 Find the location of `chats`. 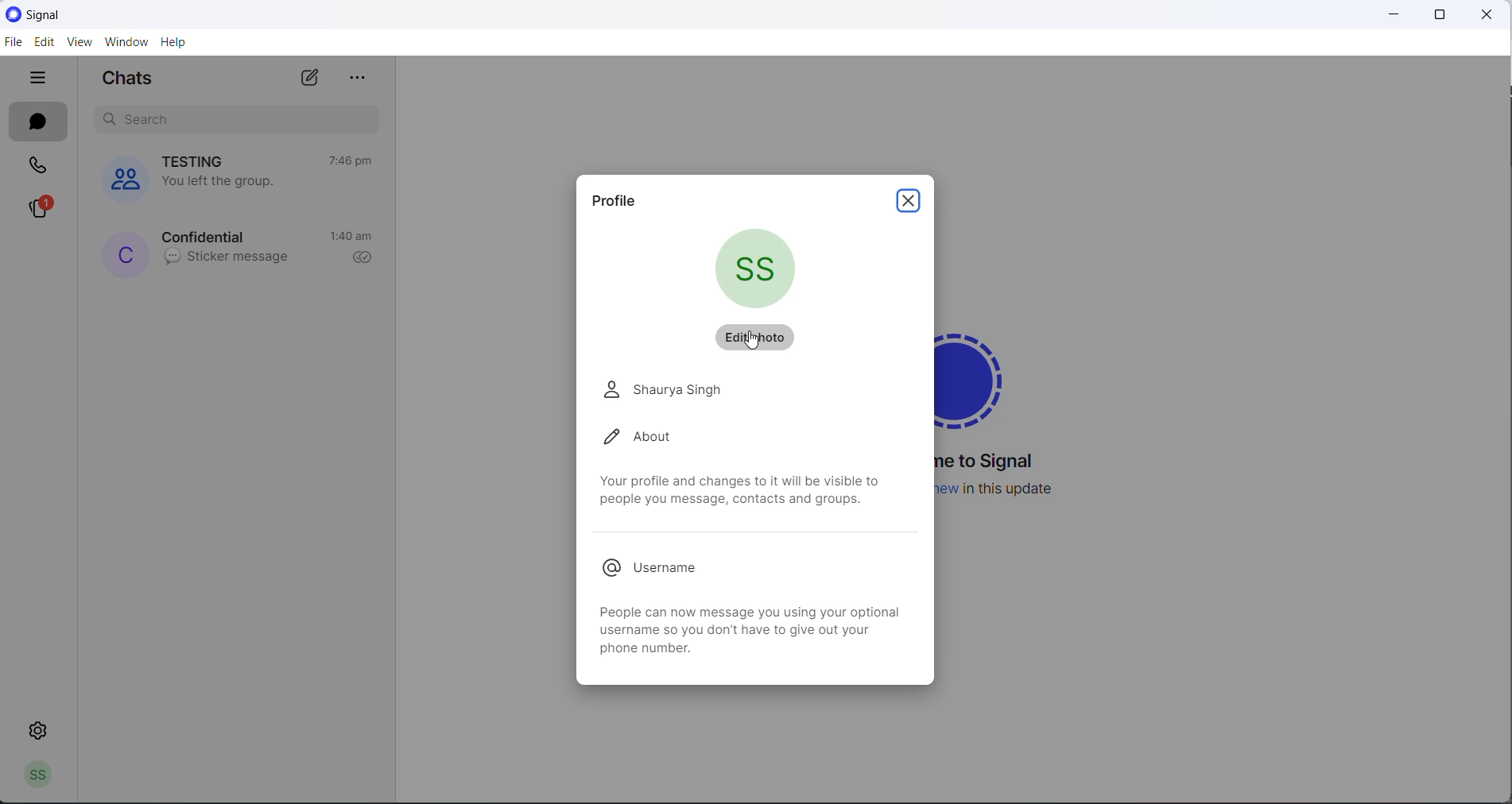

chats is located at coordinates (41, 124).